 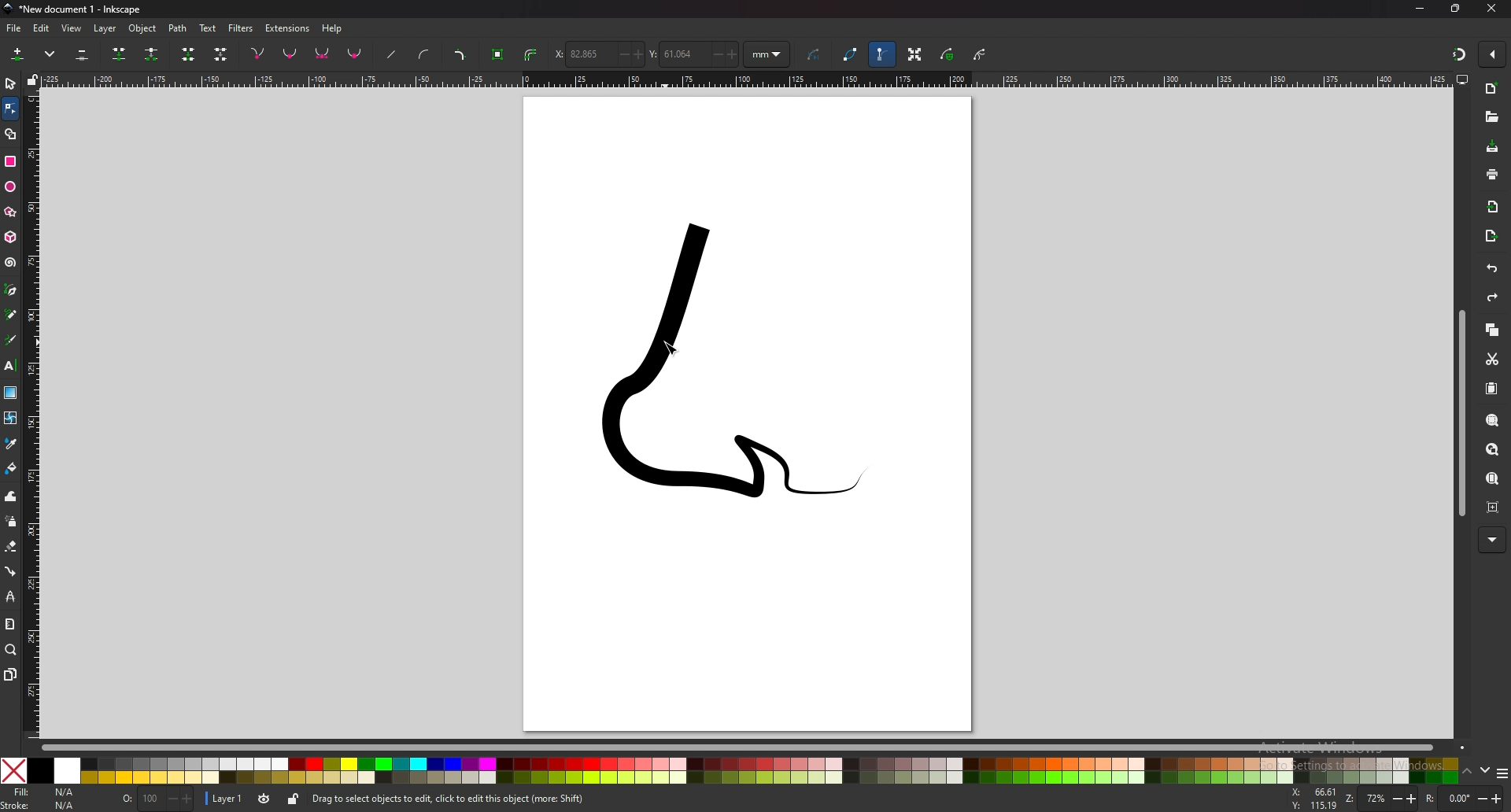 I want to click on show mask, so click(x=948, y=54).